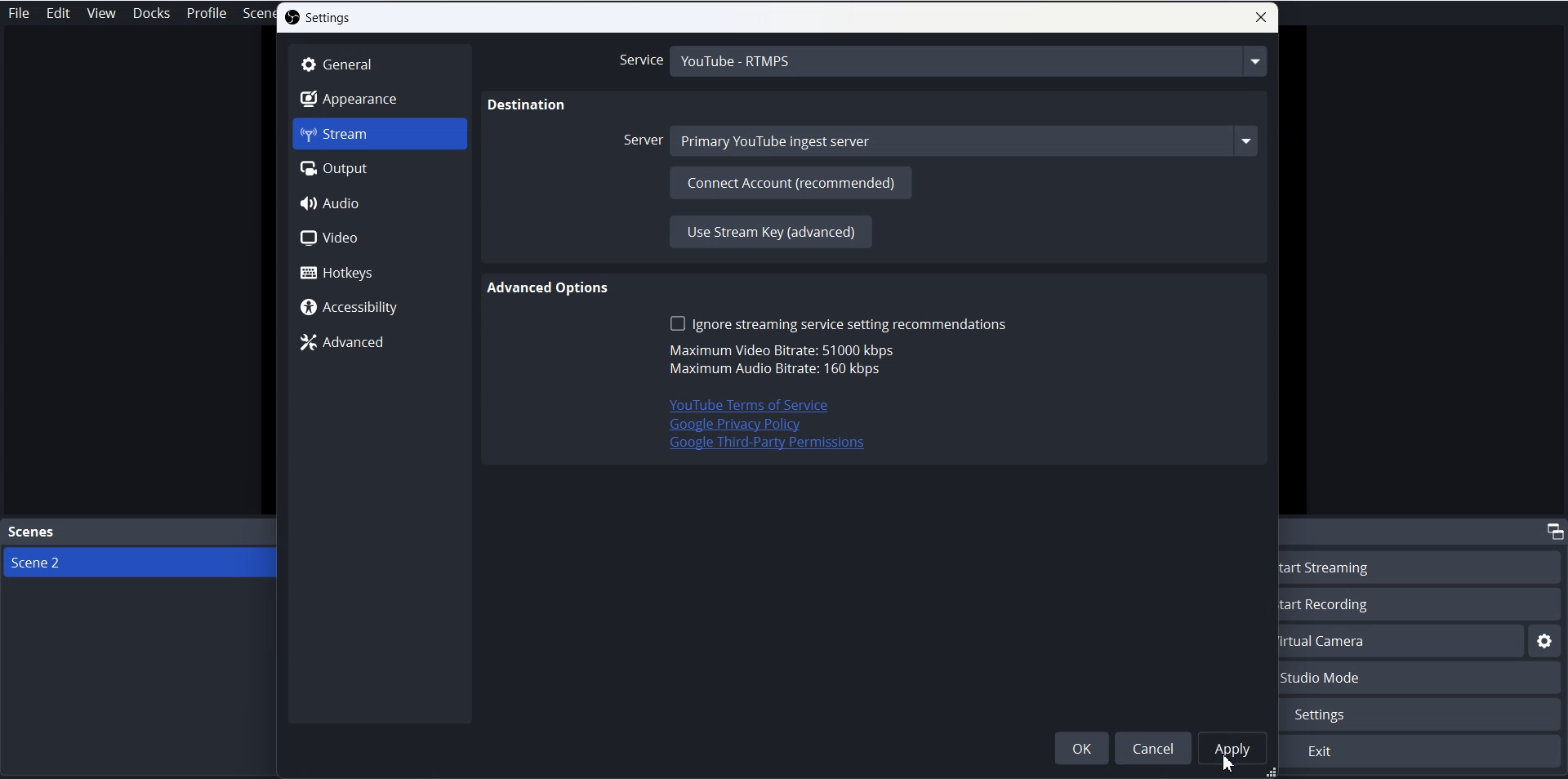 This screenshot has height=779, width=1568. Describe the element at coordinates (769, 231) in the screenshot. I see `Use stream key advanced` at that location.